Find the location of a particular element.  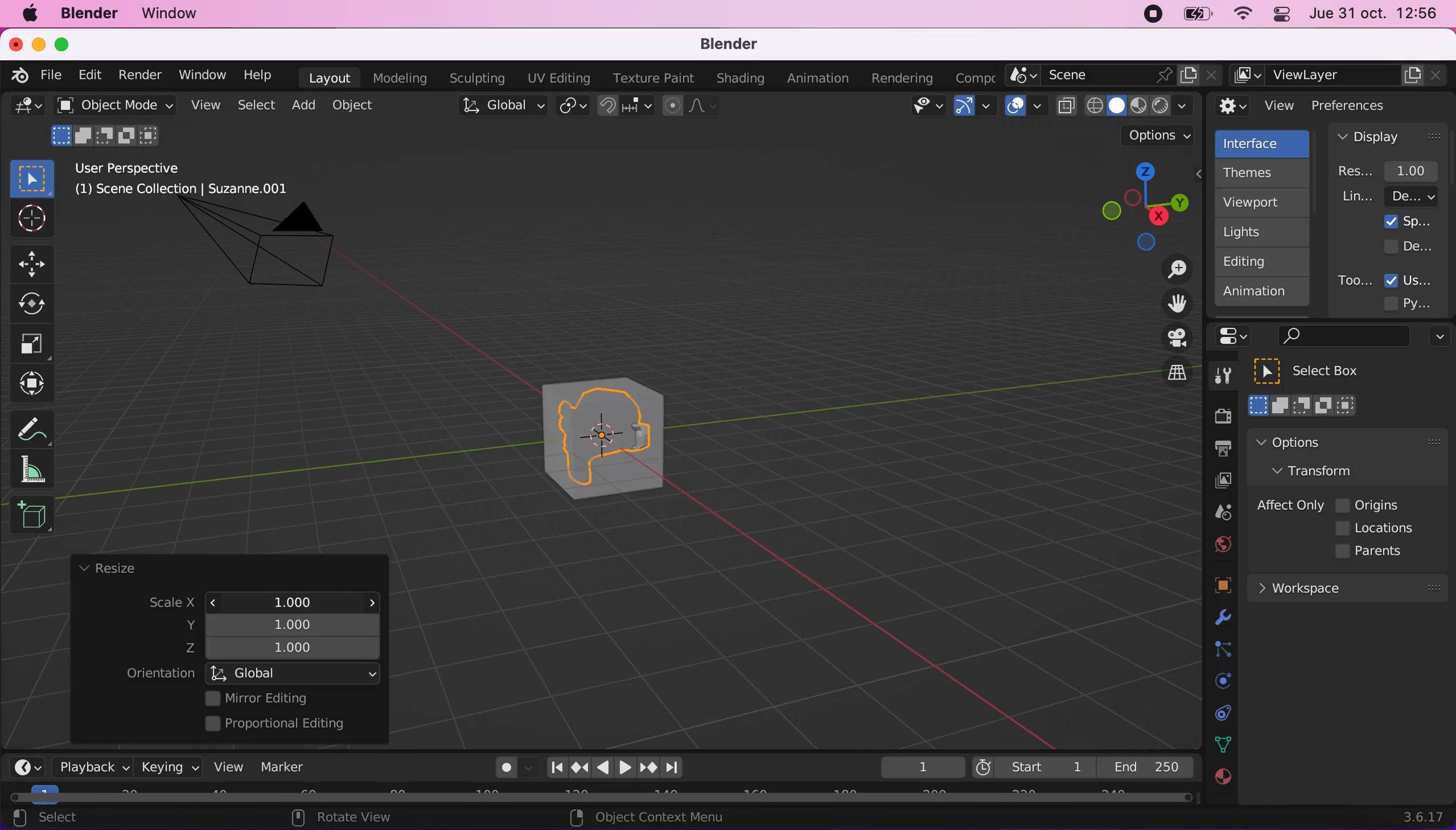

select box is located at coordinates (32, 178).